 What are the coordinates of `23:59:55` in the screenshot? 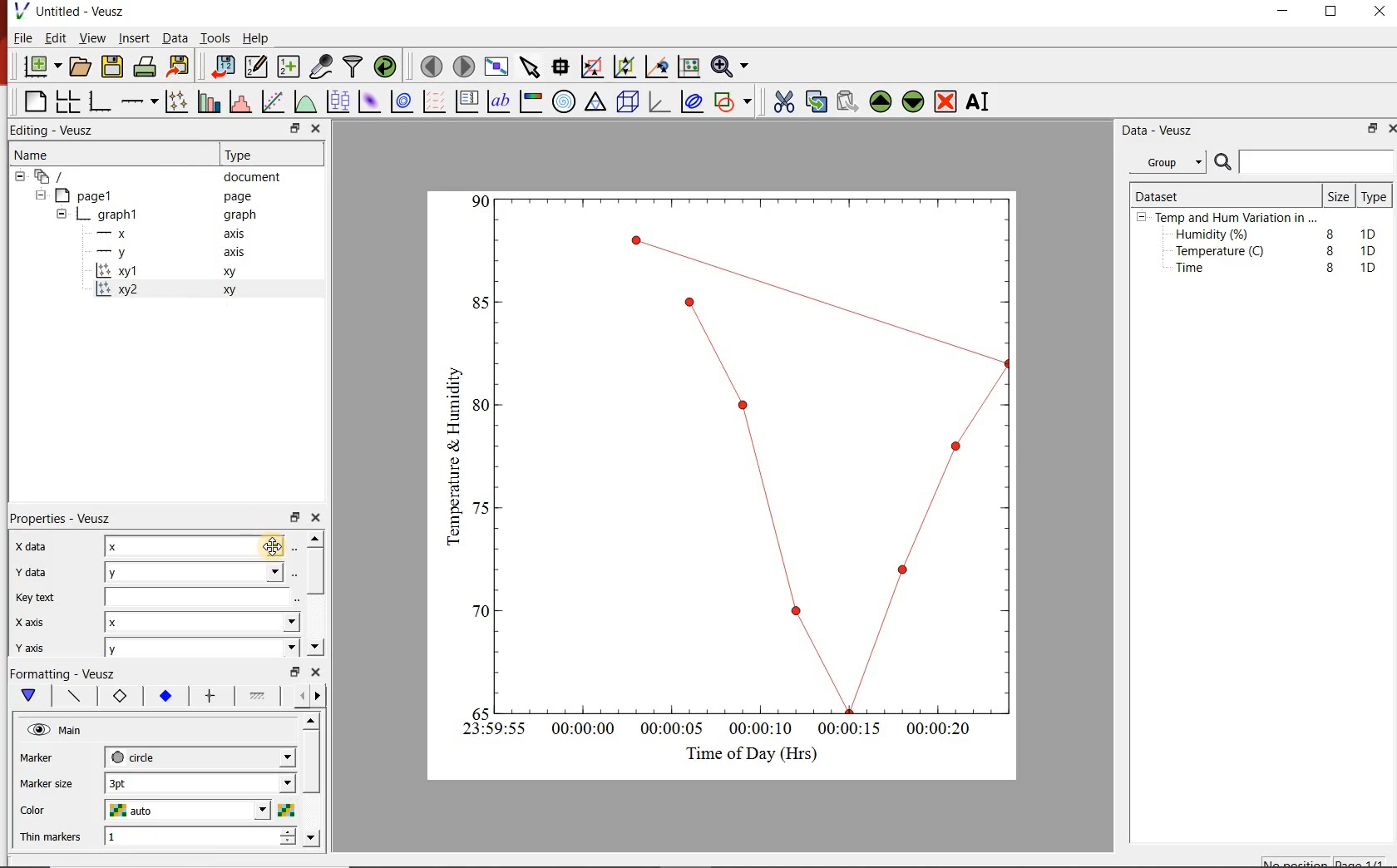 It's located at (487, 730).